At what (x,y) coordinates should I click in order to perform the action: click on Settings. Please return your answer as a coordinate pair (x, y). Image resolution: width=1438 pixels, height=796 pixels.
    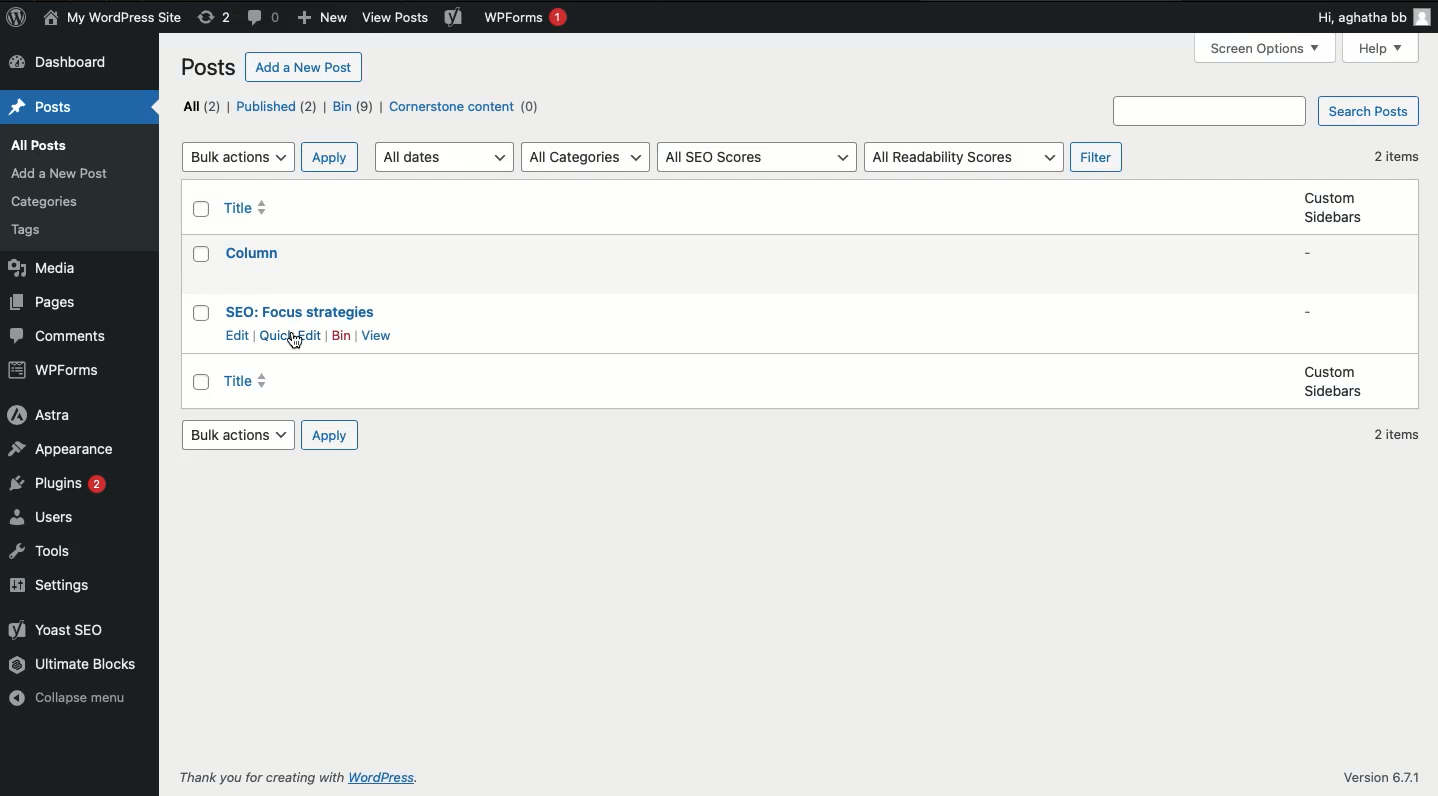
    Looking at the image, I should click on (55, 586).